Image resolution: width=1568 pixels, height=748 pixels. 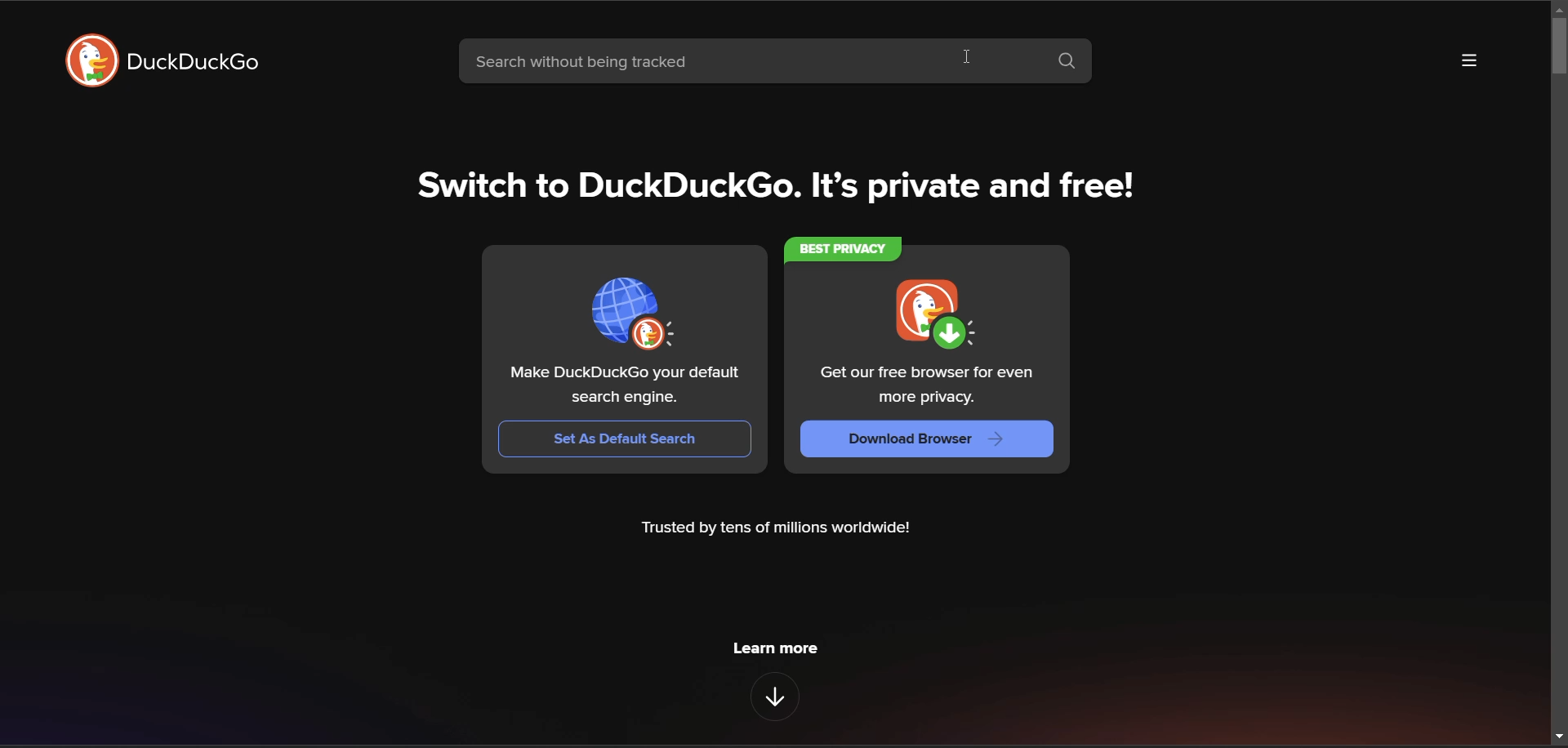 What do you see at coordinates (1067, 62) in the screenshot?
I see `search button` at bounding box center [1067, 62].